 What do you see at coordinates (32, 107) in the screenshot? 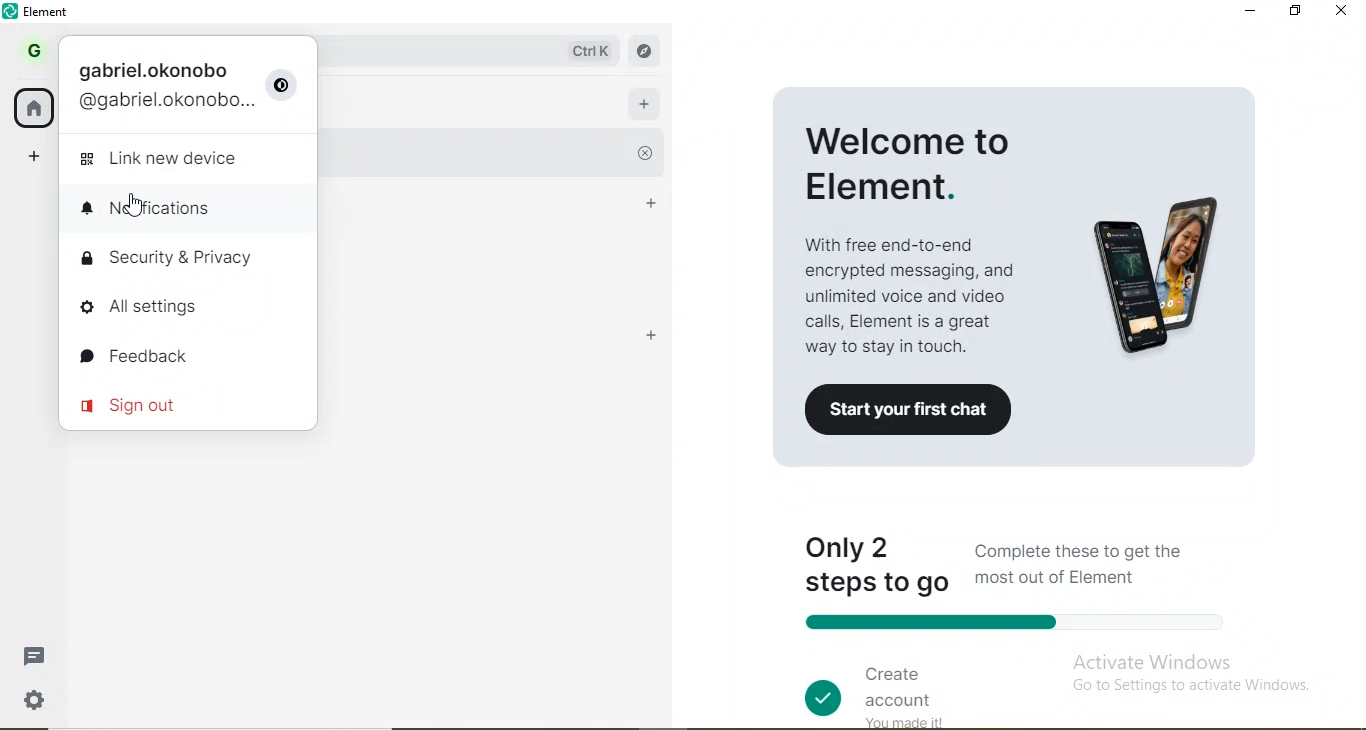
I see `home` at bounding box center [32, 107].